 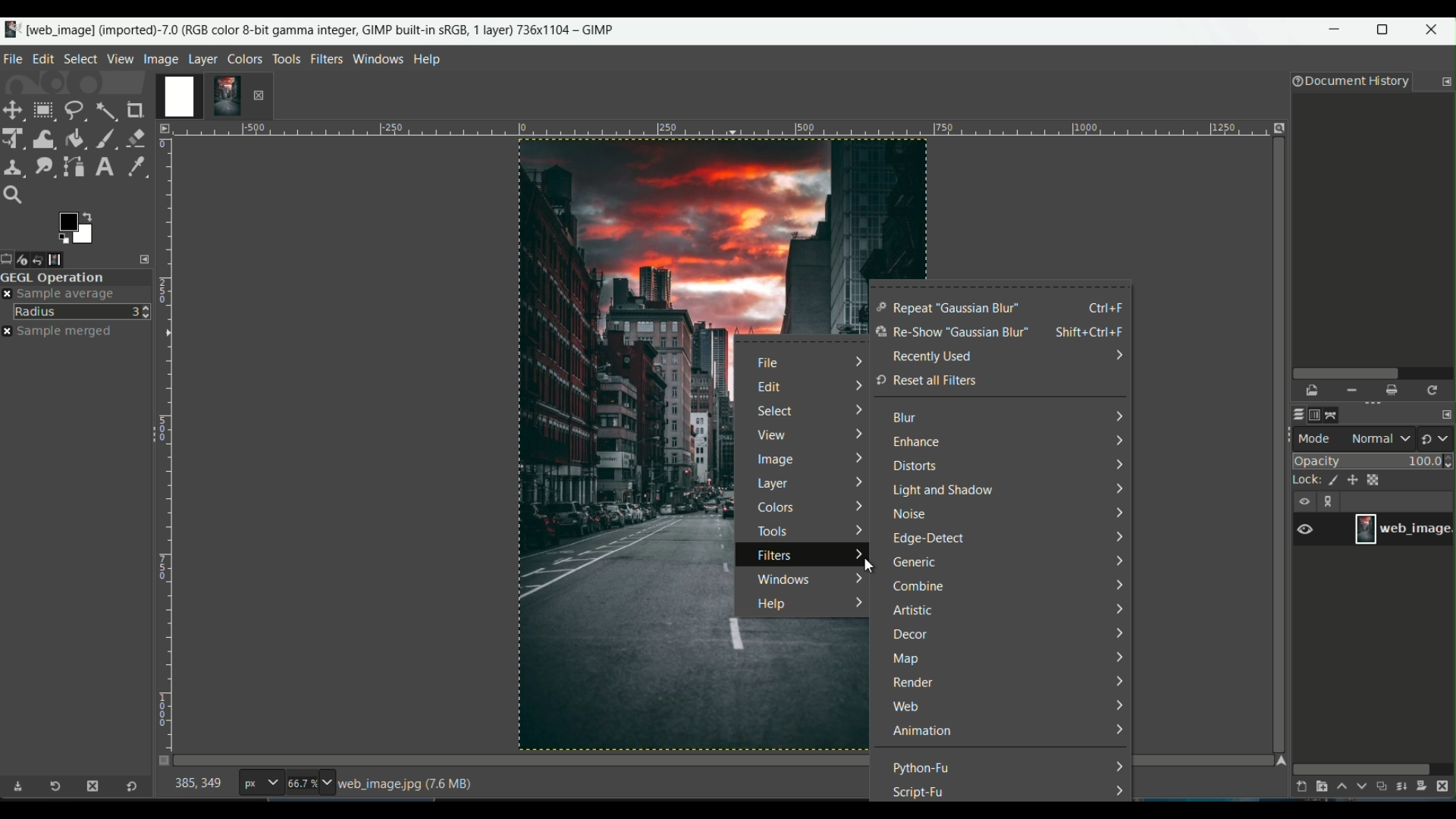 What do you see at coordinates (950, 334) in the screenshot?
I see `reshow` at bounding box center [950, 334].